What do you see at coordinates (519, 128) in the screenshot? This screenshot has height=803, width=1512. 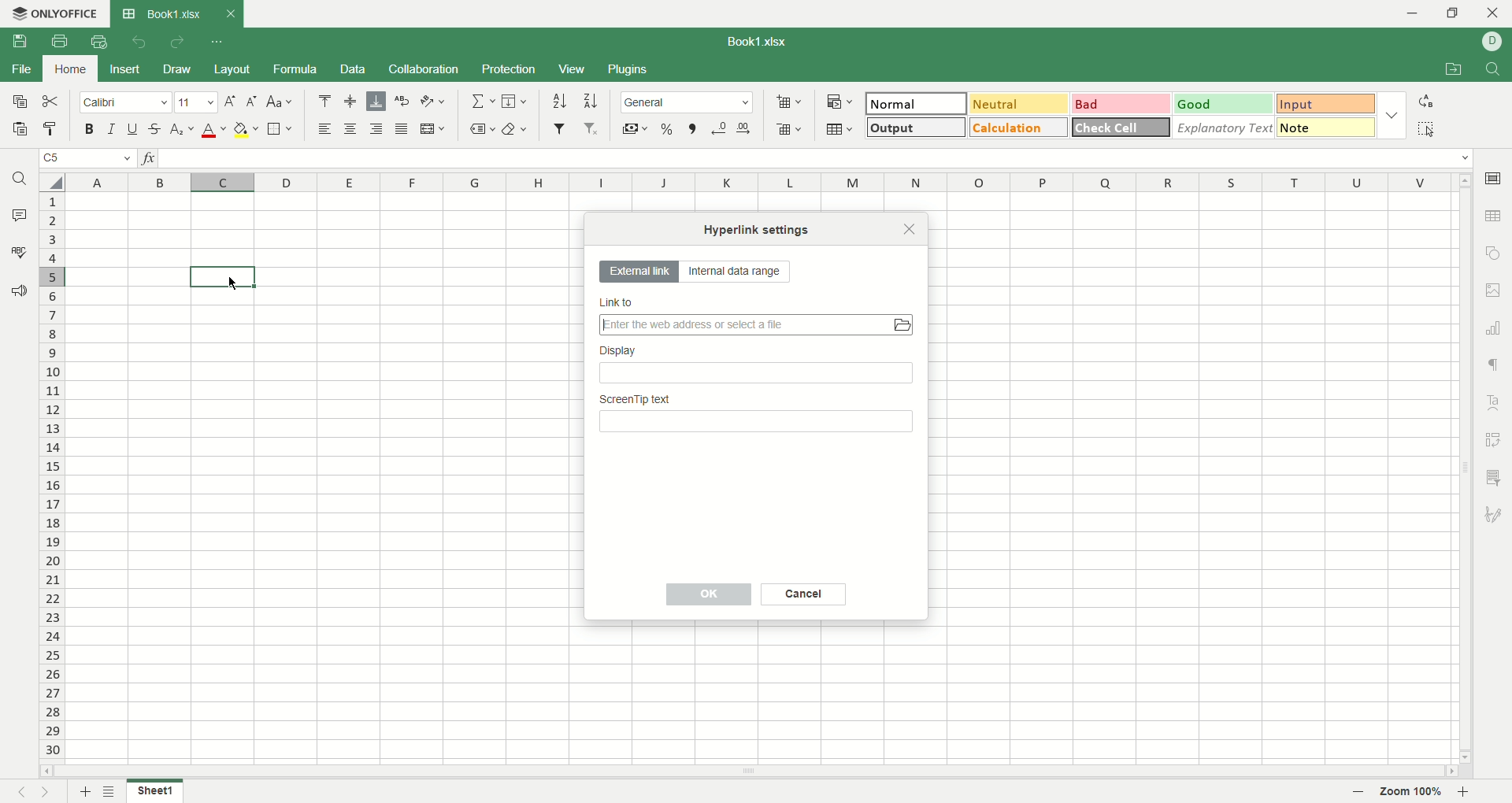 I see `clear` at bounding box center [519, 128].